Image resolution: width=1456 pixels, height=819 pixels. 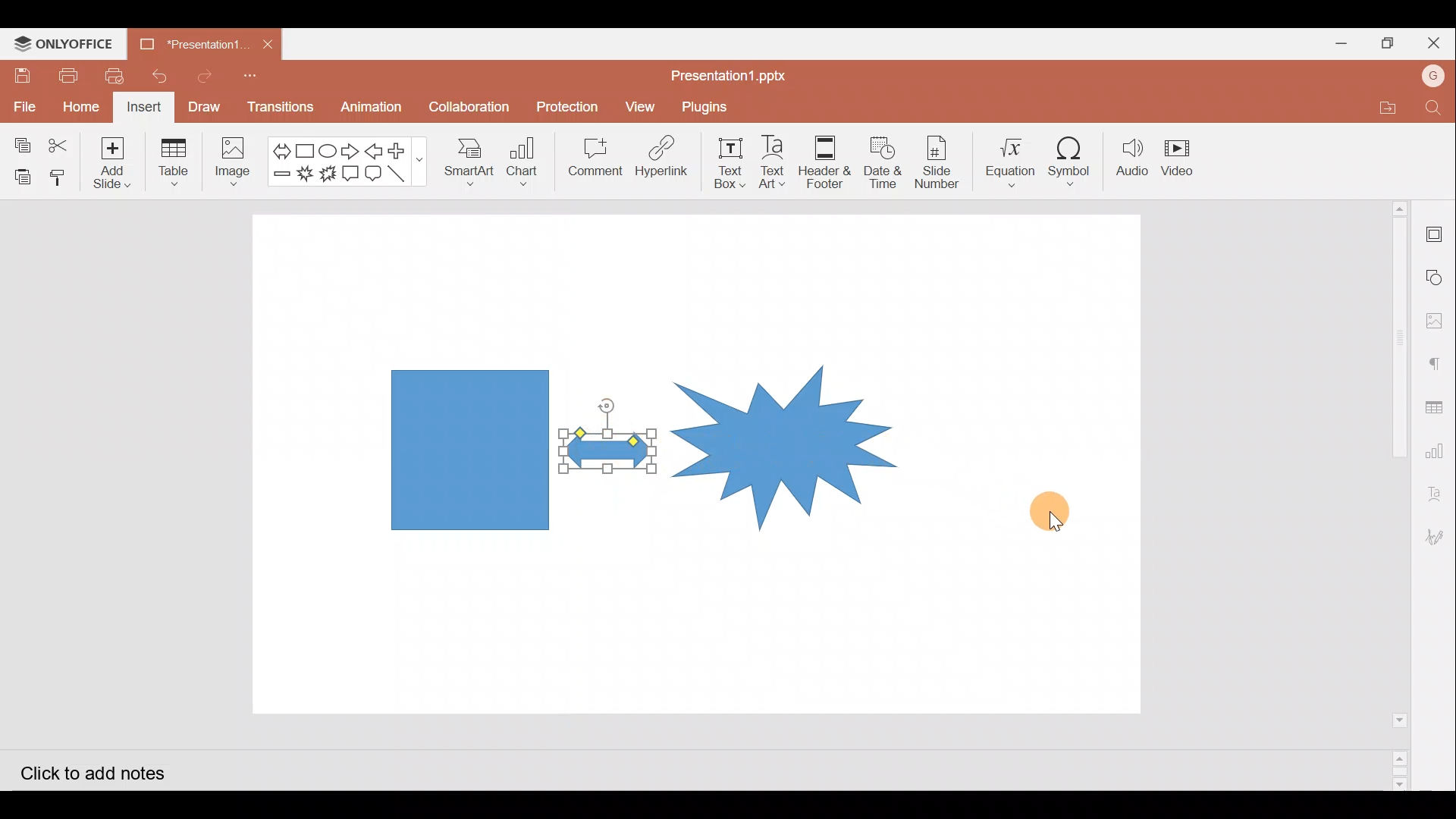 I want to click on Text Art, so click(x=775, y=162).